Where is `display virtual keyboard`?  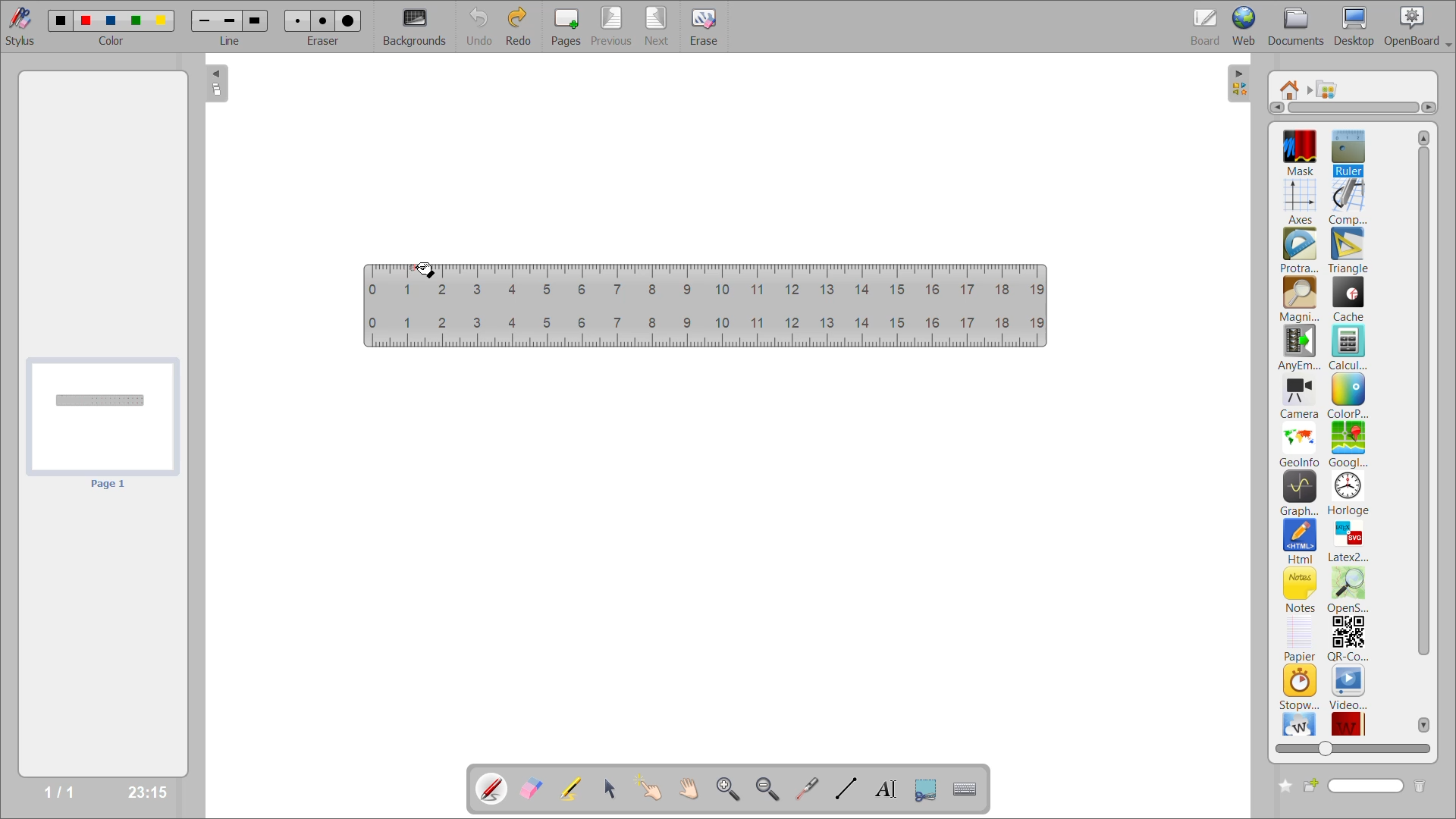
display virtual keyboard is located at coordinates (968, 789).